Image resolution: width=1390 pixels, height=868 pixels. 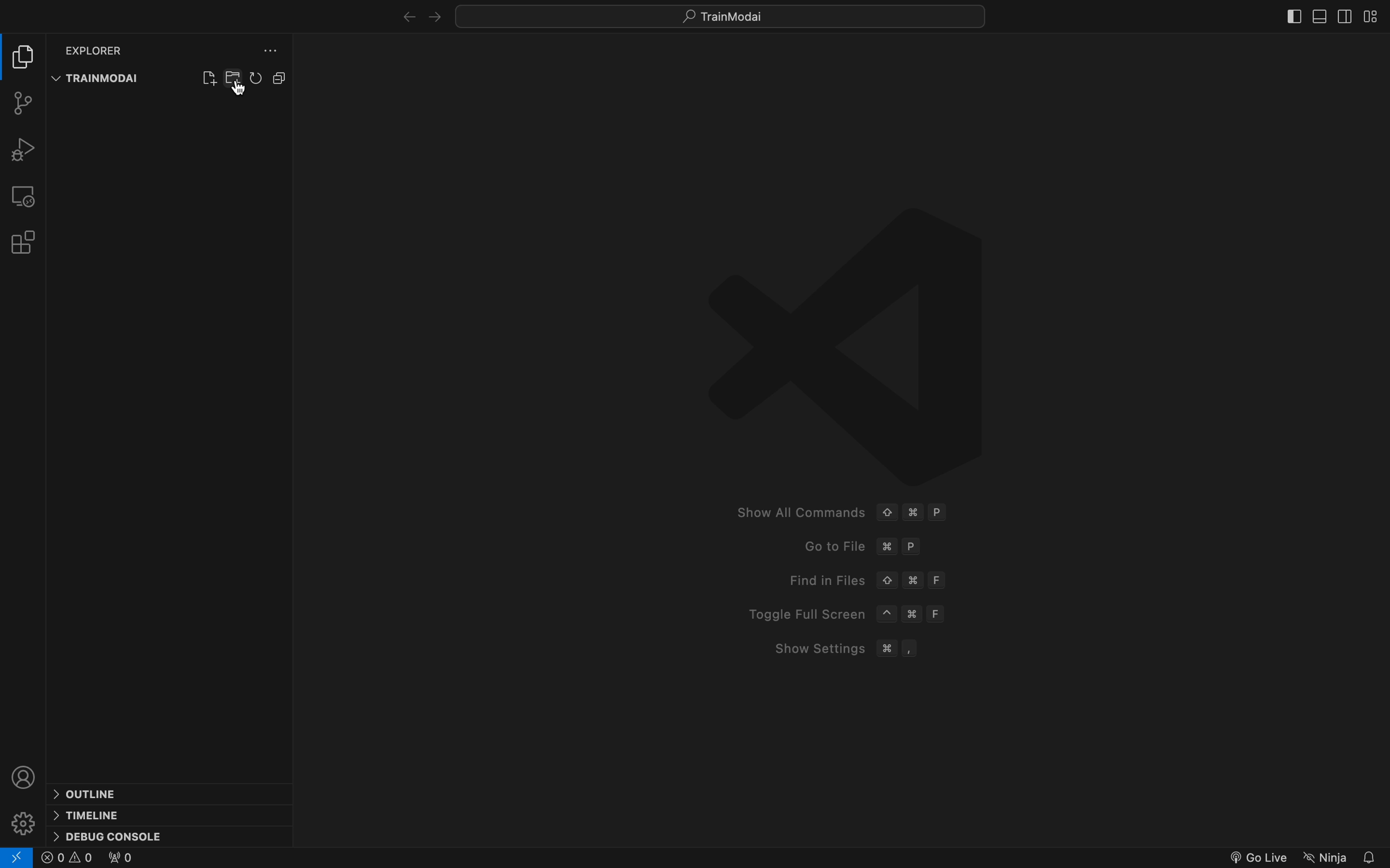 I want to click on toggle sidebar, so click(x=1370, y=15).